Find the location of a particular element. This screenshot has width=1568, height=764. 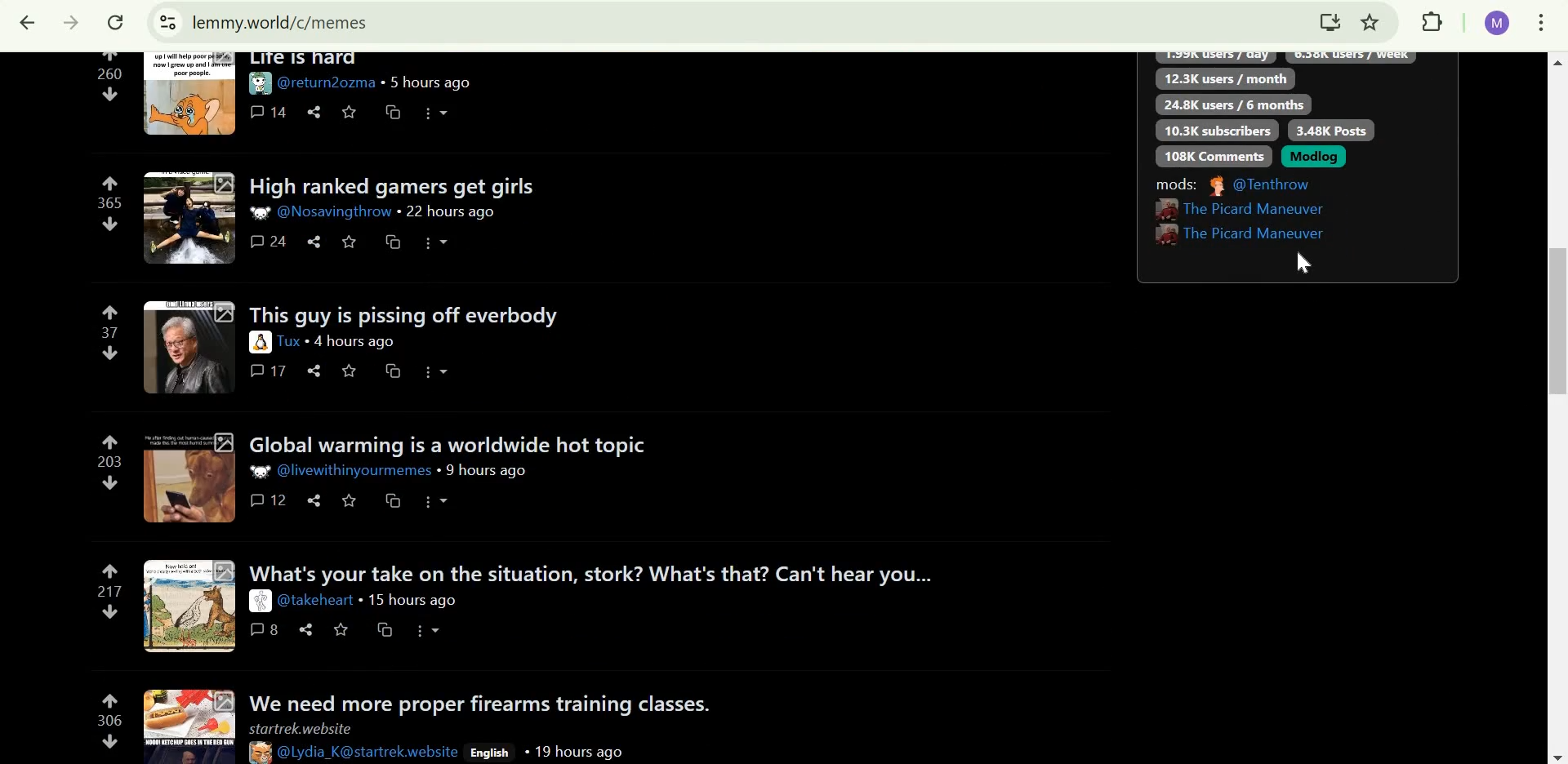

picture is located at coordinates (1214, 186).